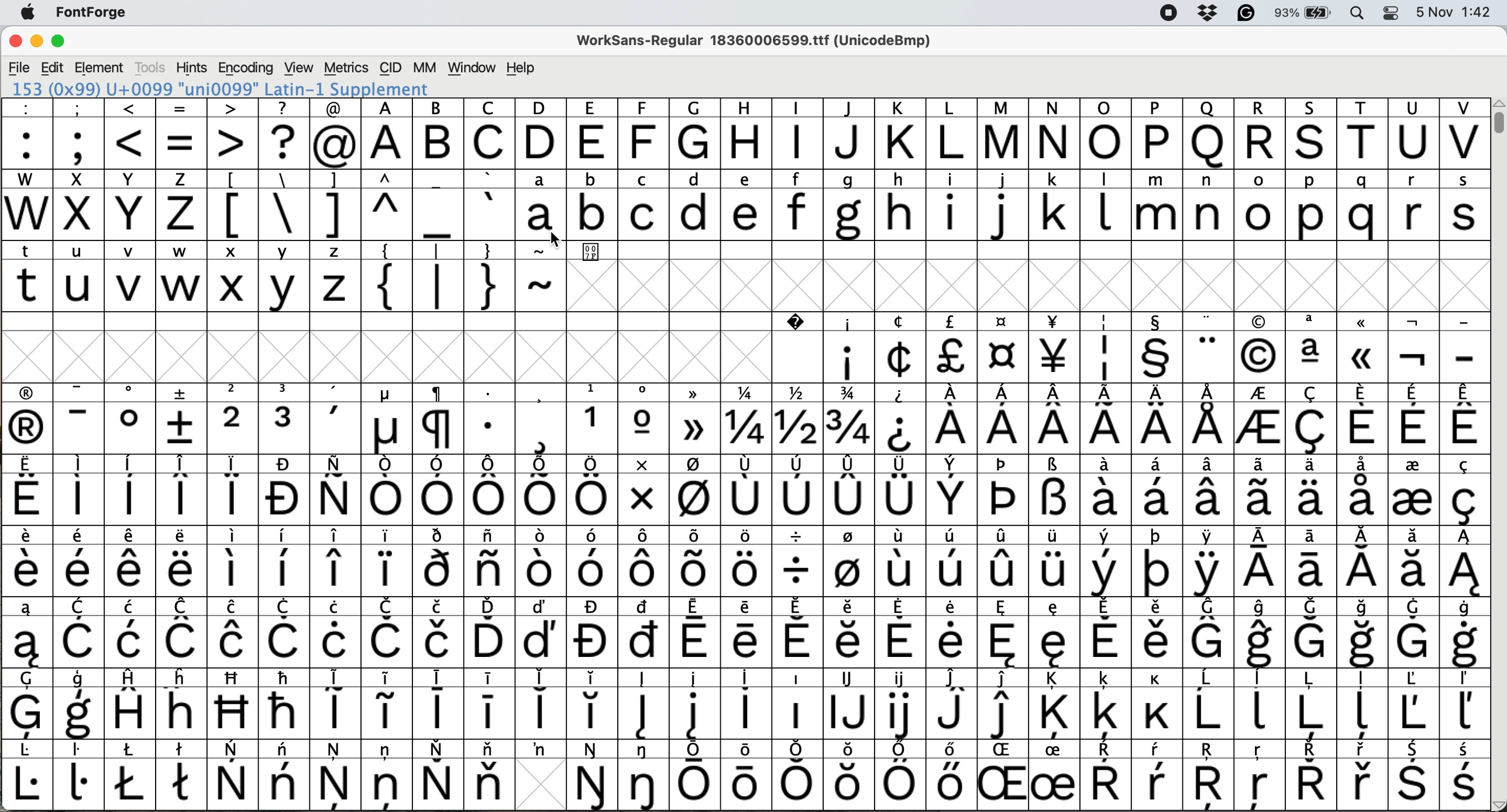 The width and height of the screenshot is (1507, 812). What do you see at coordinates (247, 68) in the screenshot?
I see `encoding` at bounding box center [247, 68].